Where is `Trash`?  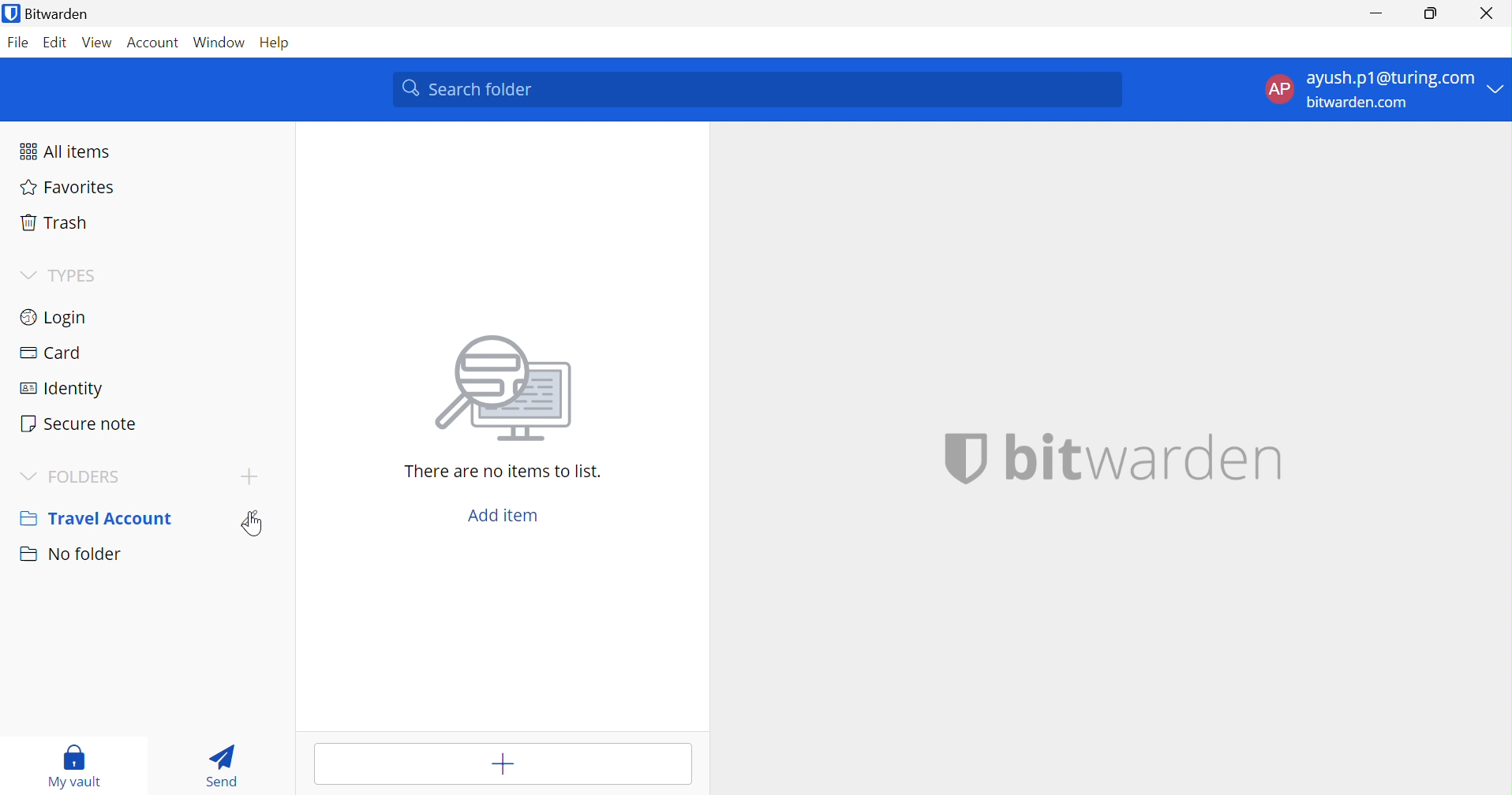 Trash is located at coordinates (56, 222).